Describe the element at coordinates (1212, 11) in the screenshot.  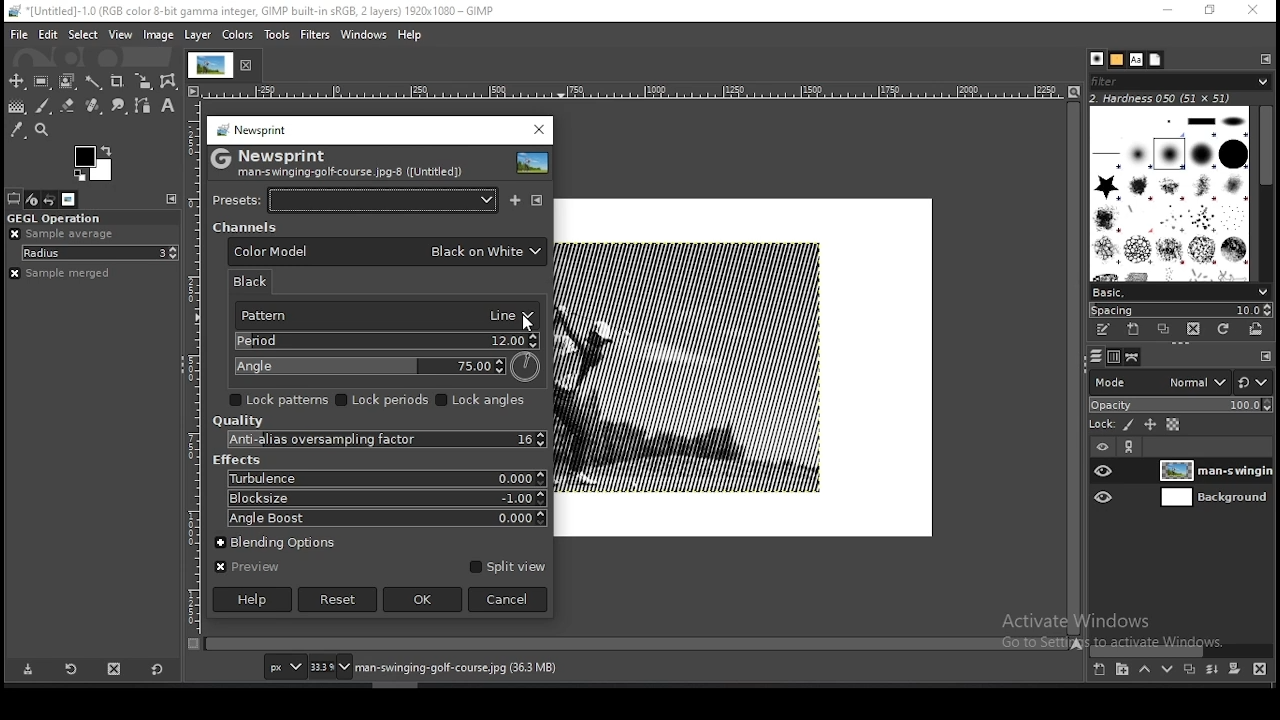
I see `restore` at that location.